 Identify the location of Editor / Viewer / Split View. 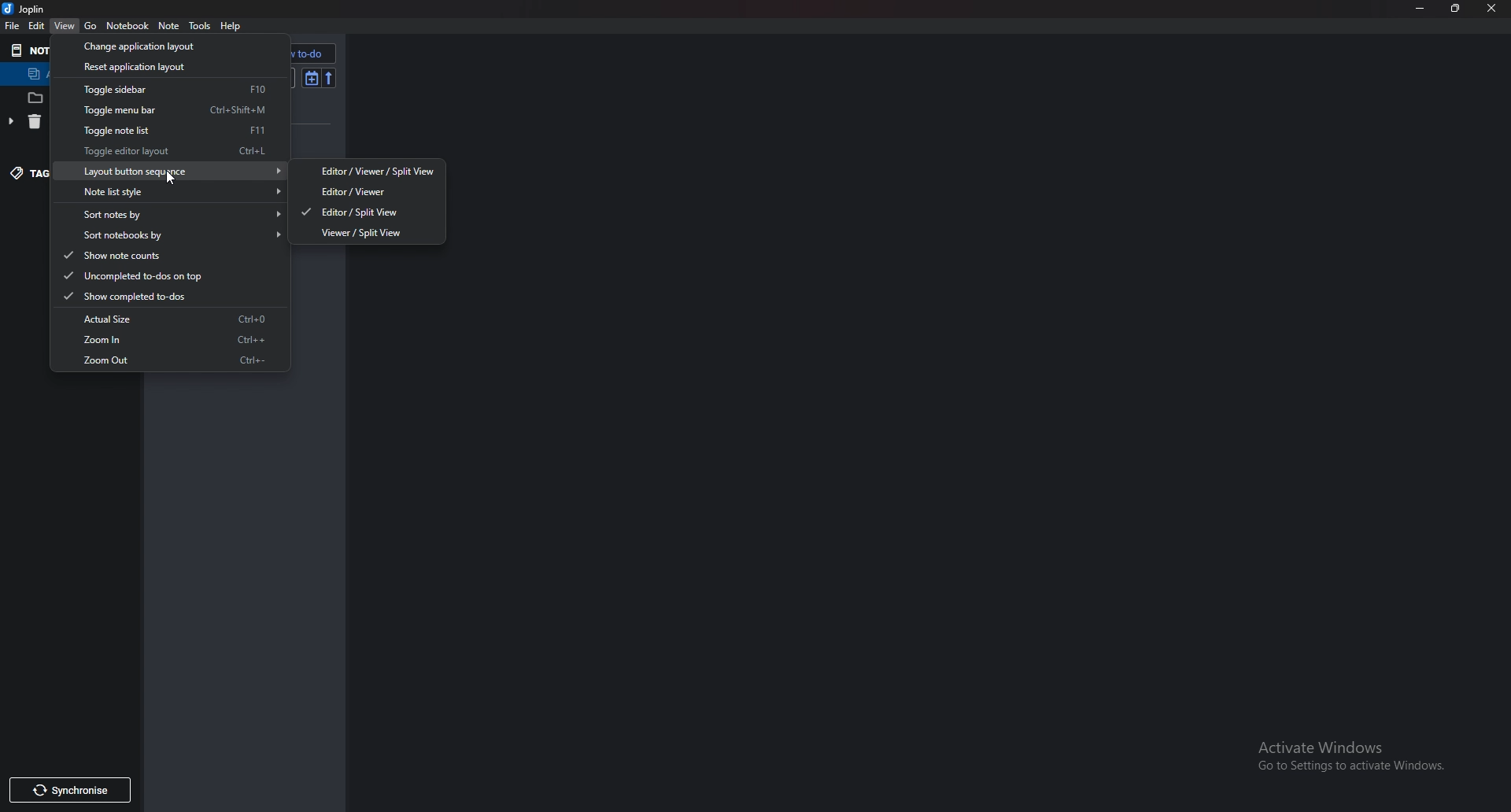
(371, 172).